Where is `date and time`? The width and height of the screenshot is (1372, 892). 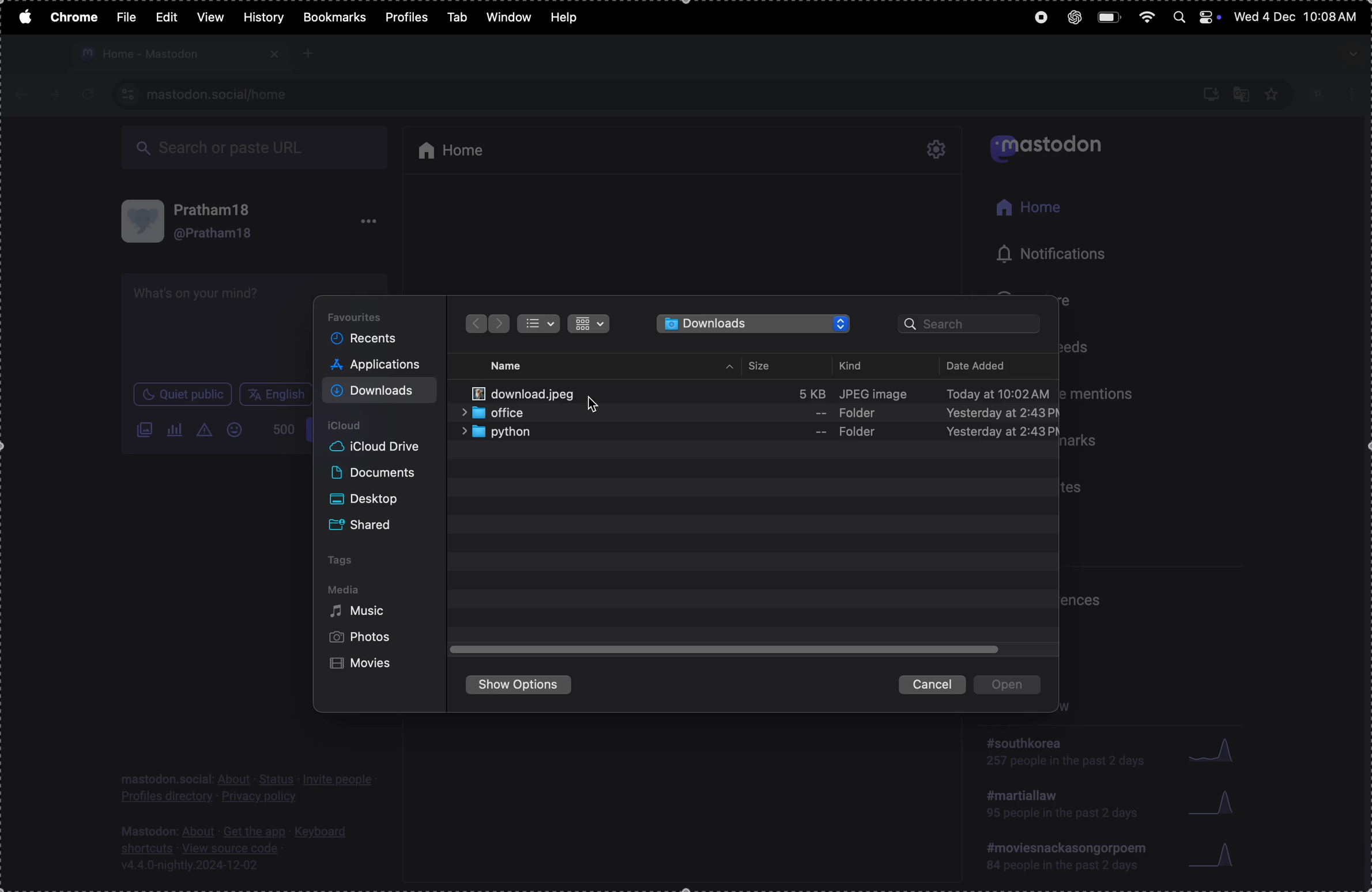
date and time is located at coordinates (1298, 18).